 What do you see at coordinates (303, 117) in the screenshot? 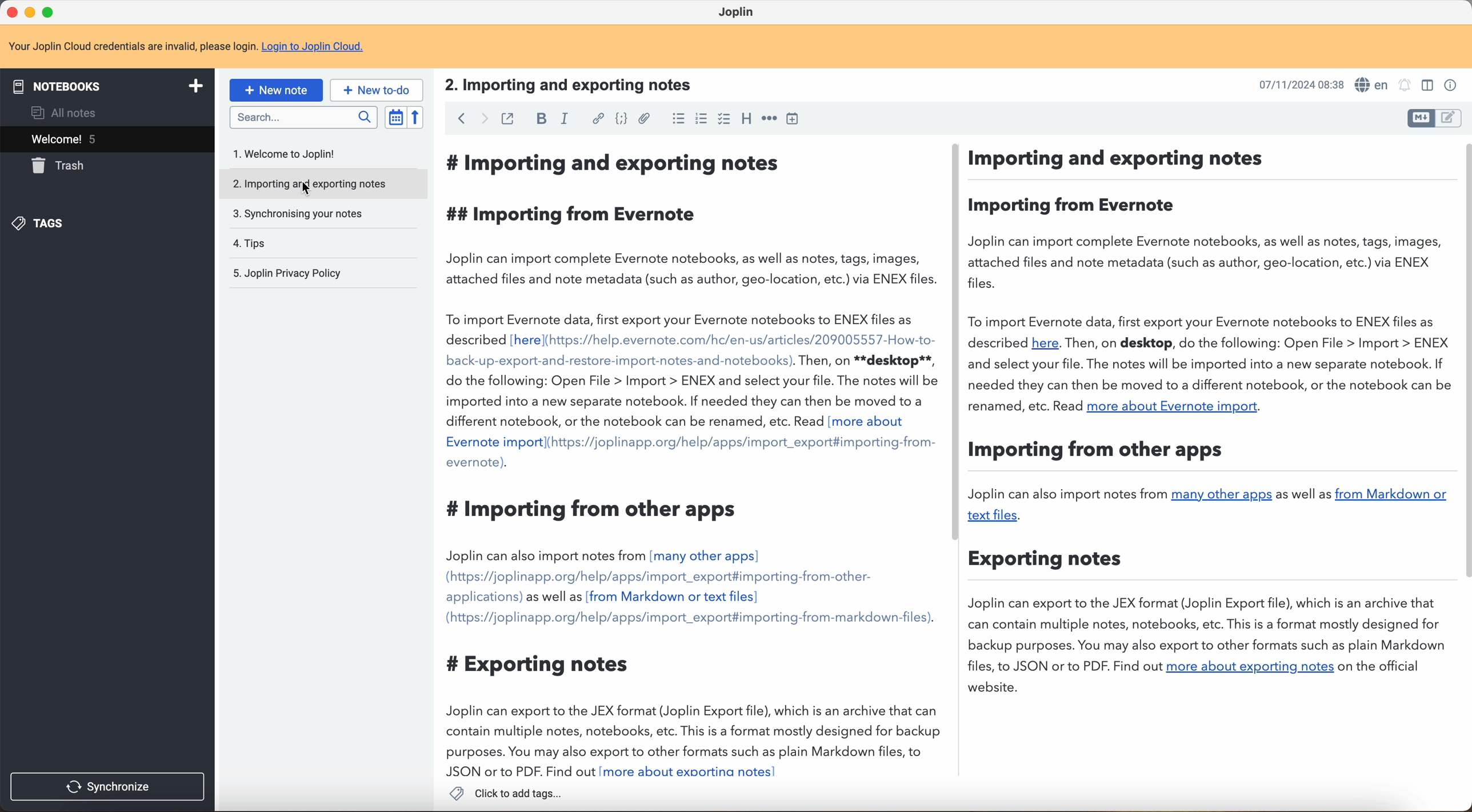
I see `search bar` at bounding box center [303, 117].